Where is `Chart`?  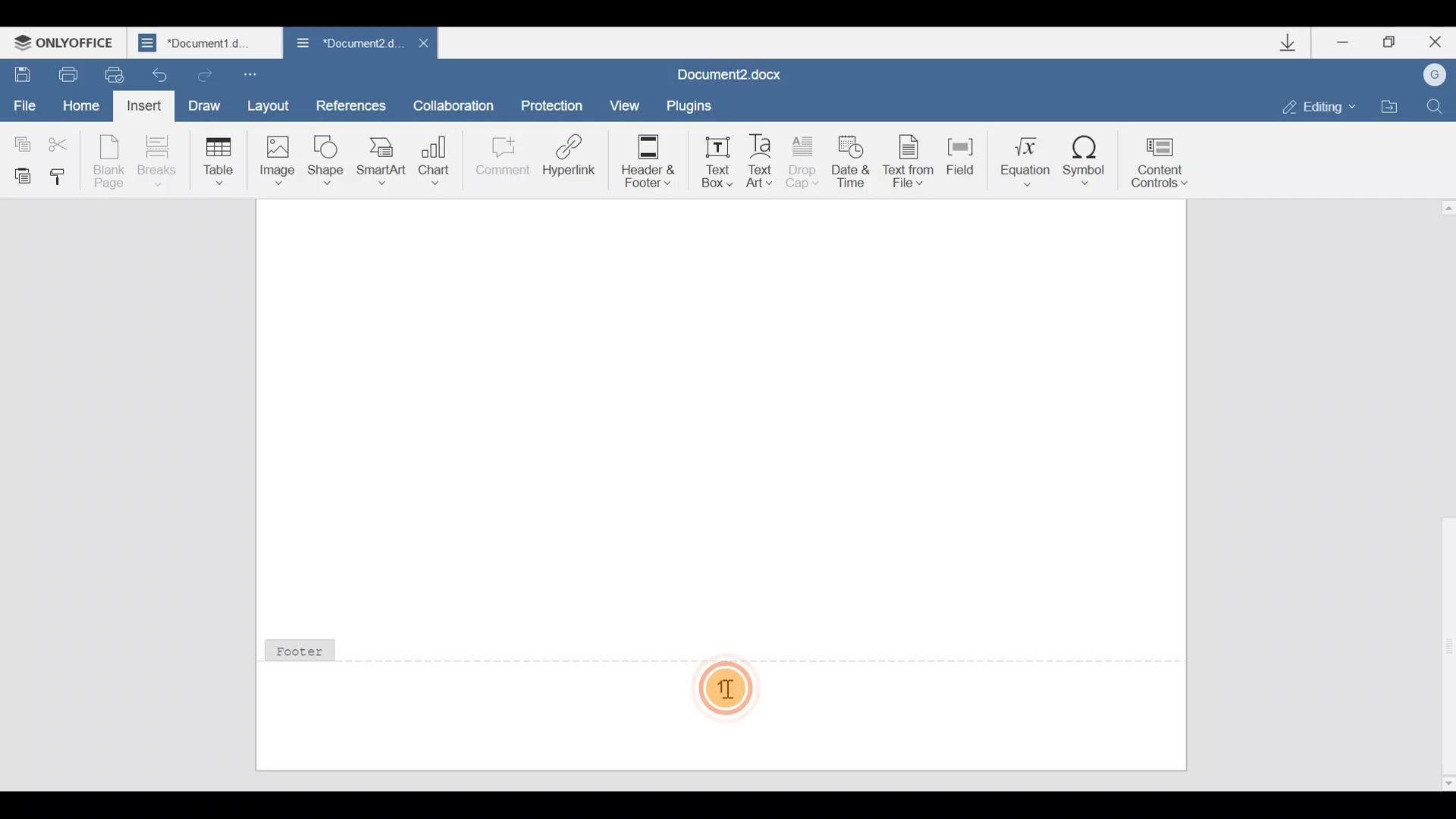
Chart is located at coordinates (437, 155).